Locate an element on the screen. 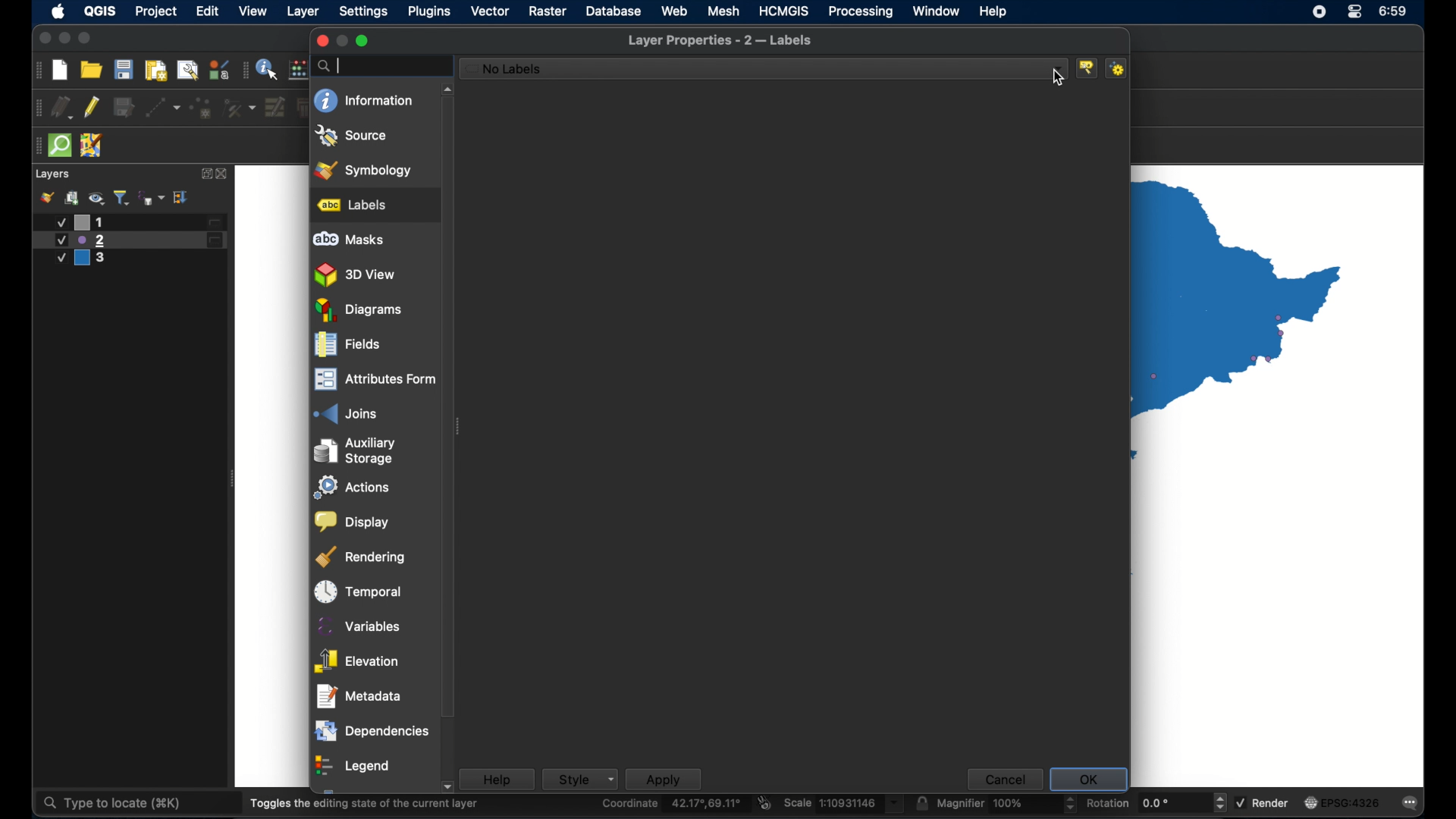 This screenshot has height=819, width=1456. print layout is located at coordinates (156, 71).